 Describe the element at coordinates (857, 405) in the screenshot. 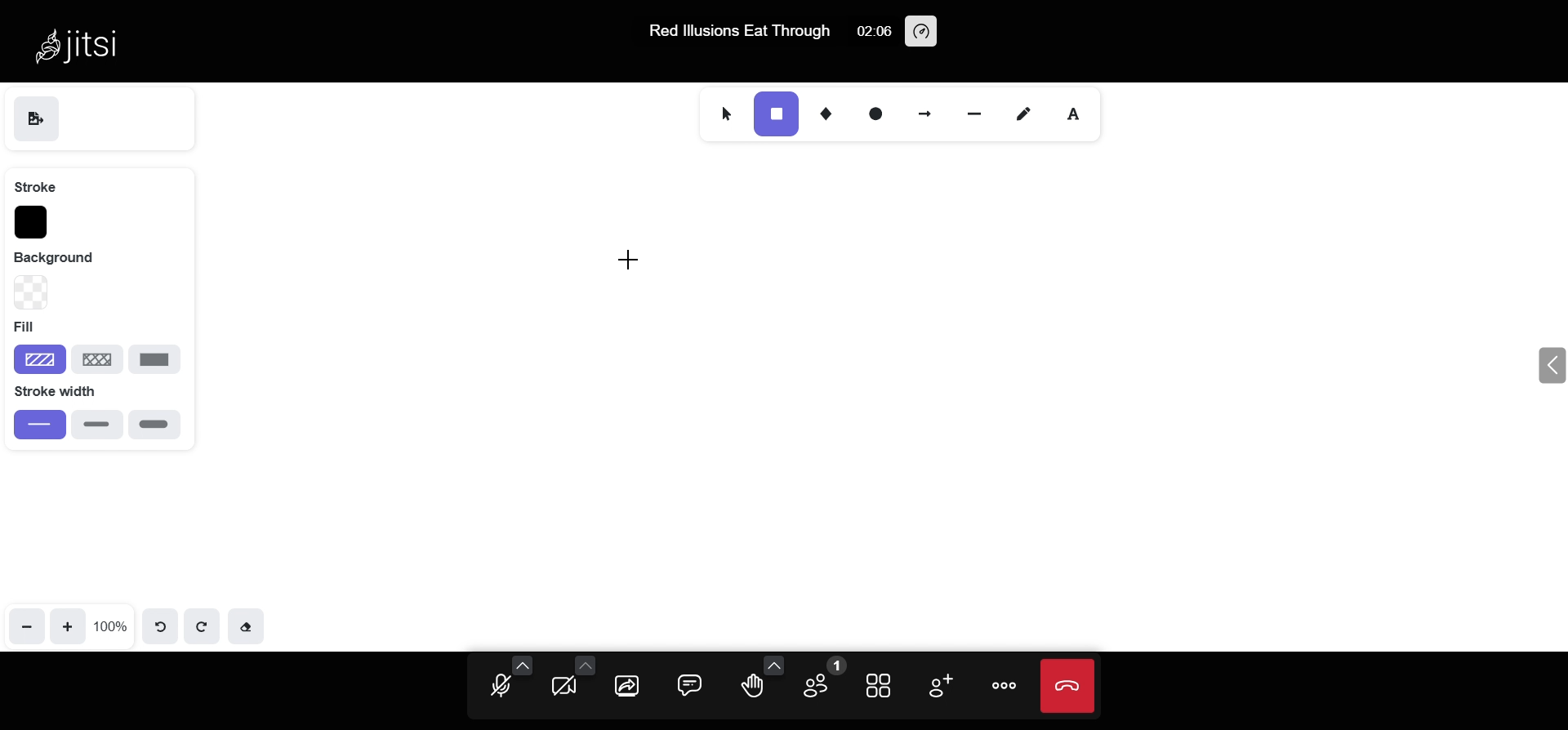

I see `whiteboard` at that location.